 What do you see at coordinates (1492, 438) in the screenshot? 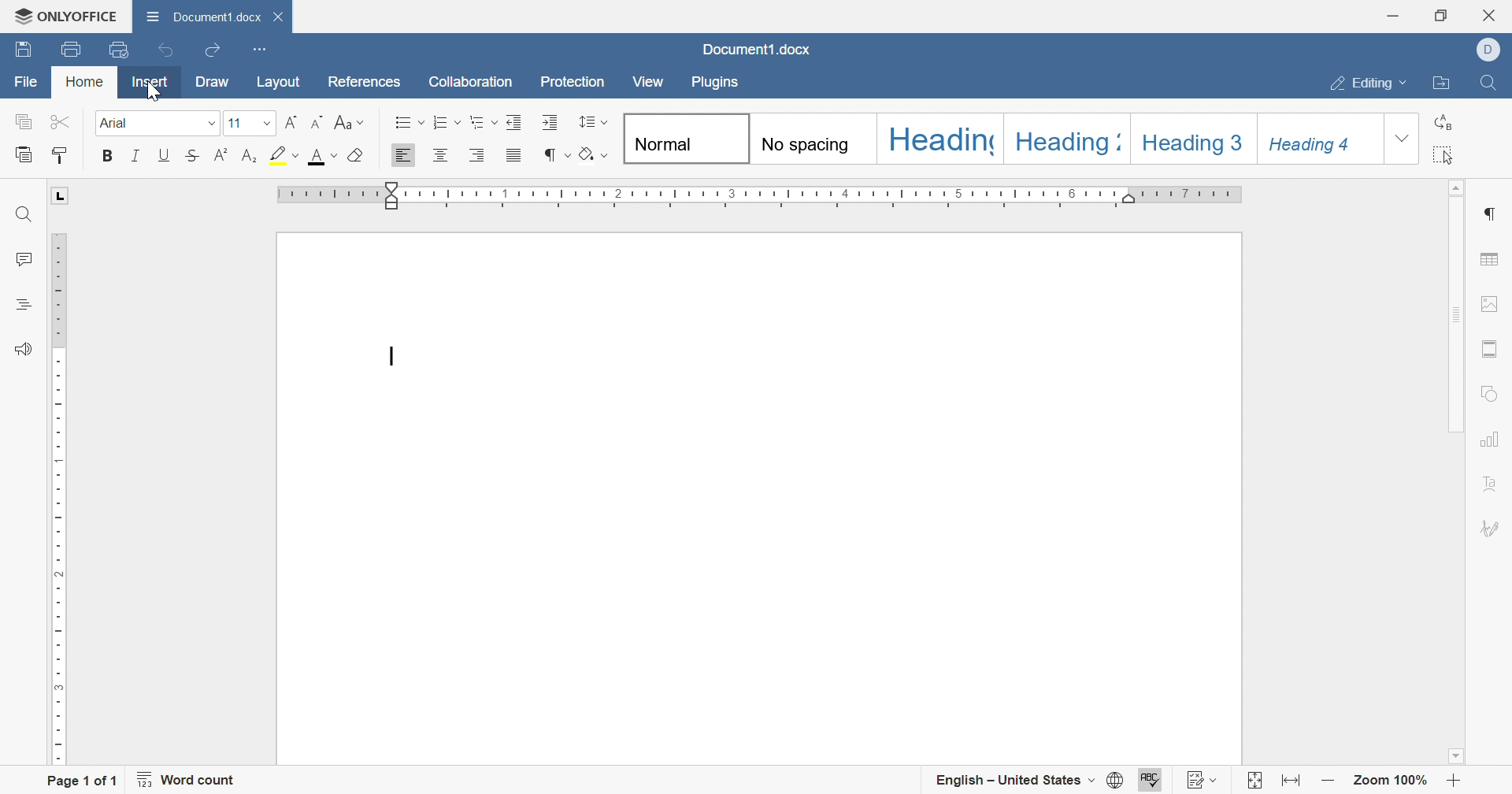
I see `Chart settings` at bounding box center [1492, 438].